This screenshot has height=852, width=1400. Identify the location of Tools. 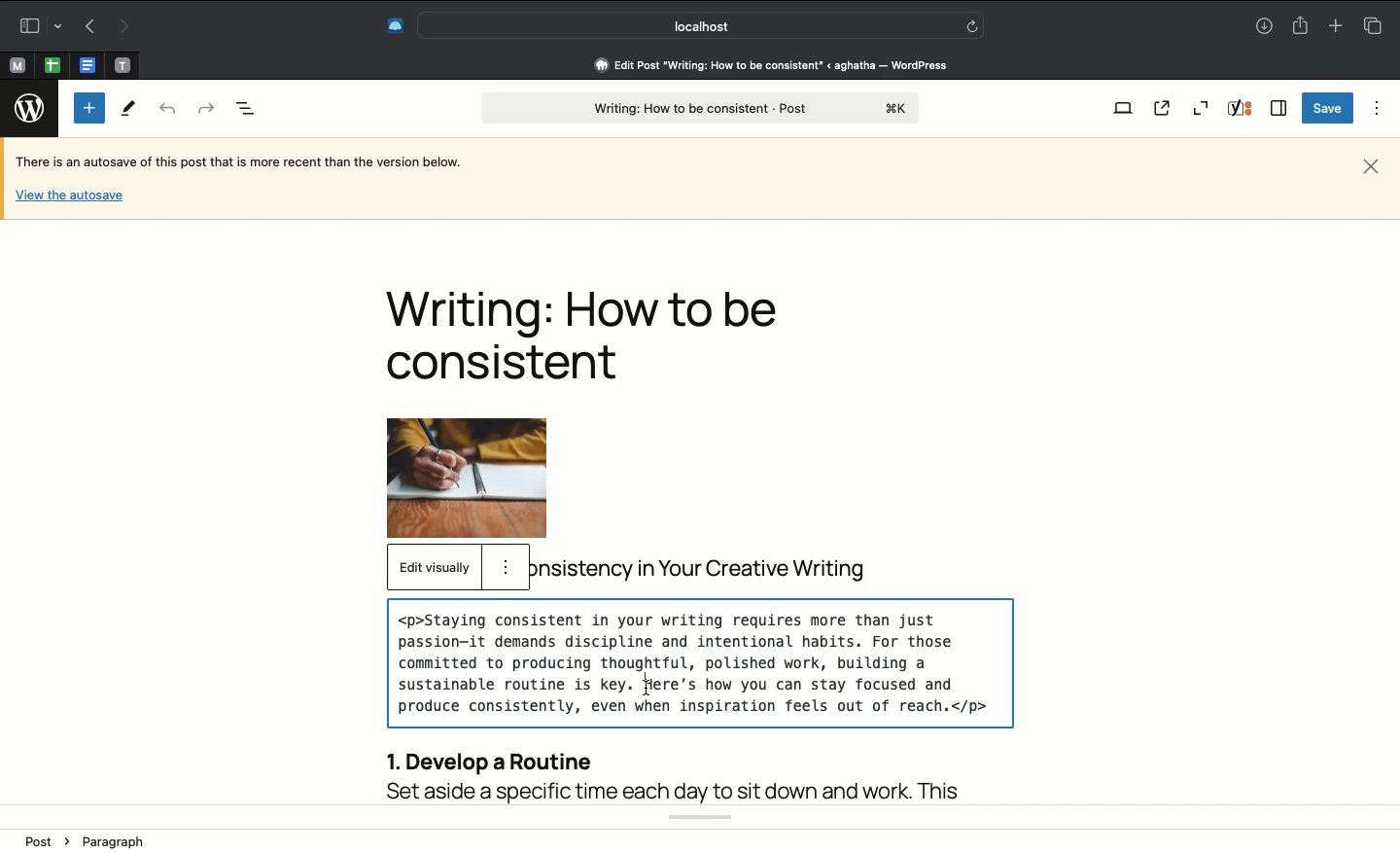
(129, 110).